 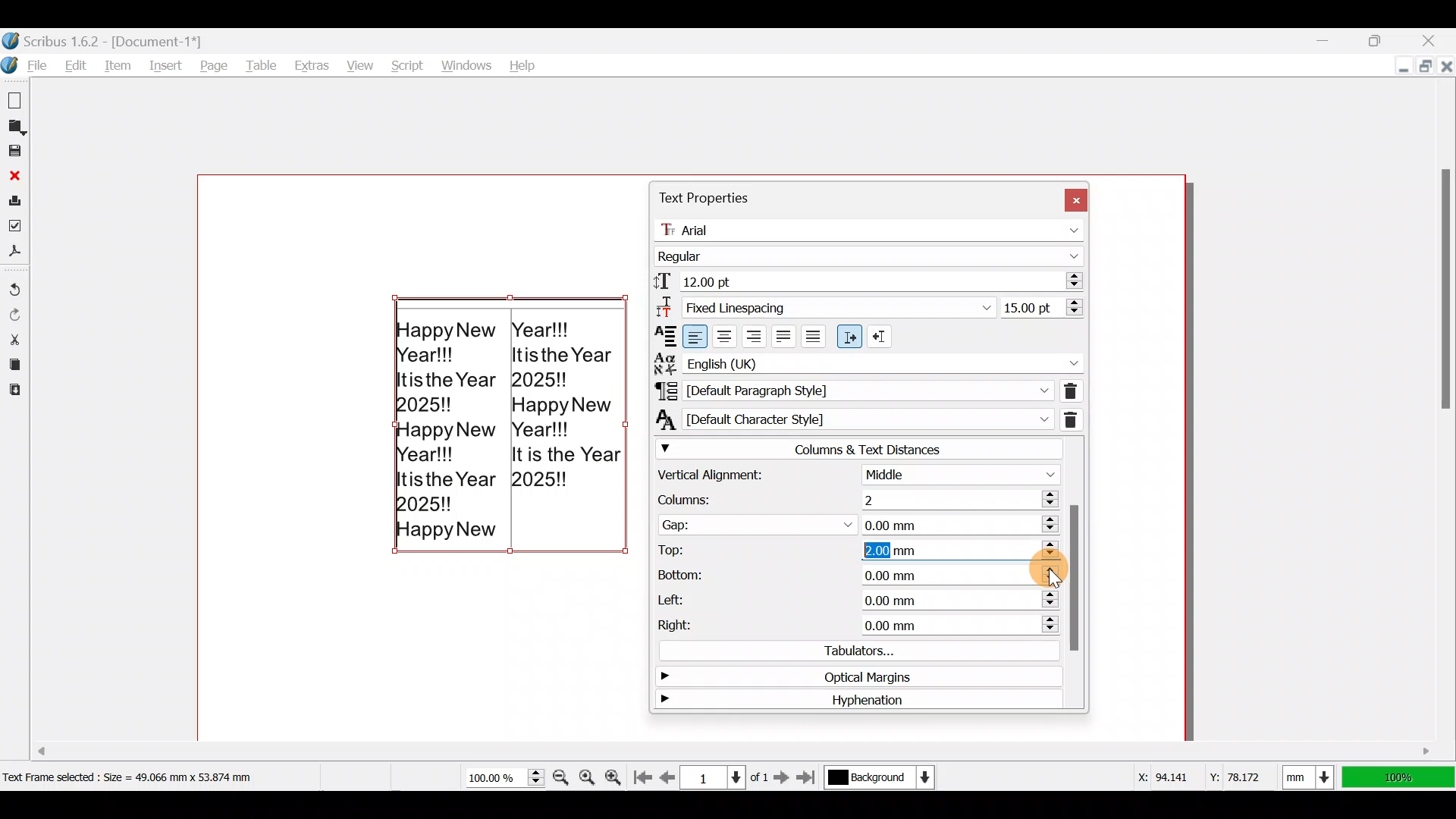 I want to click on Preflight verifier, so click(x=17, y=229).